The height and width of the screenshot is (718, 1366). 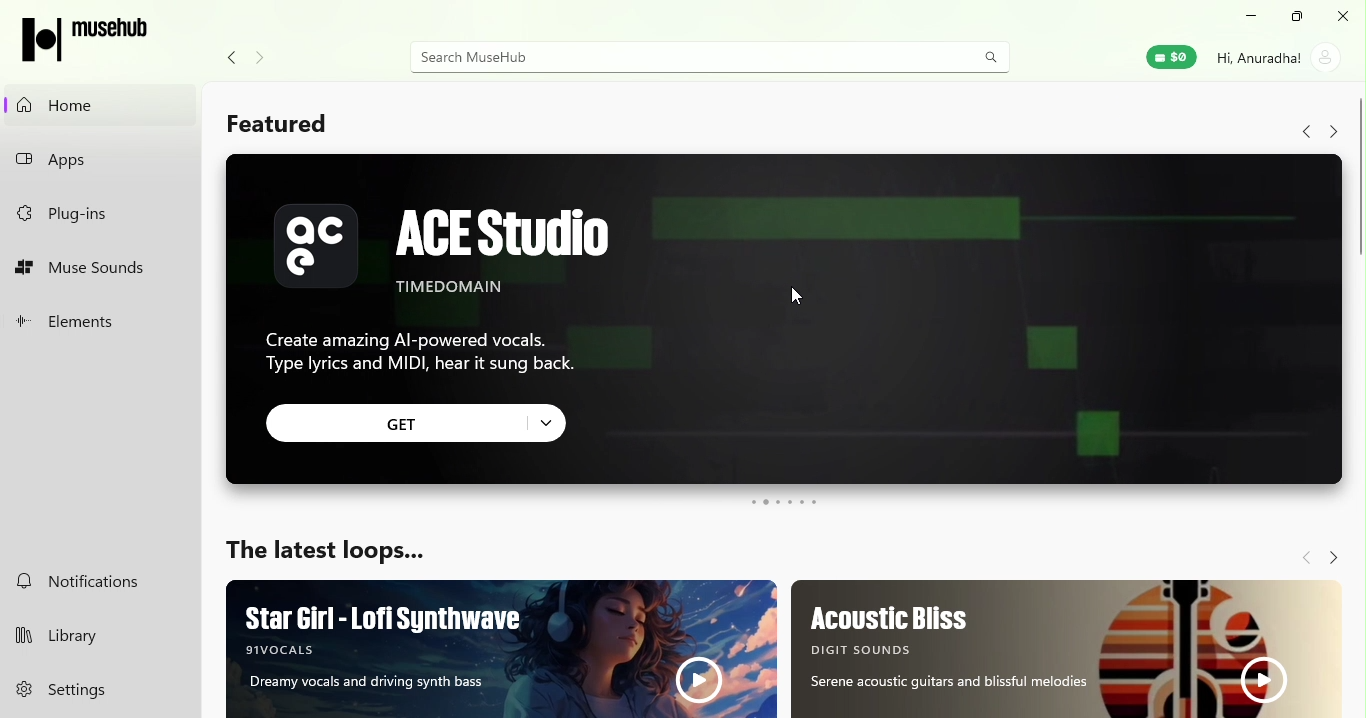 I want to click on cursor, so click(x=803, y=292).